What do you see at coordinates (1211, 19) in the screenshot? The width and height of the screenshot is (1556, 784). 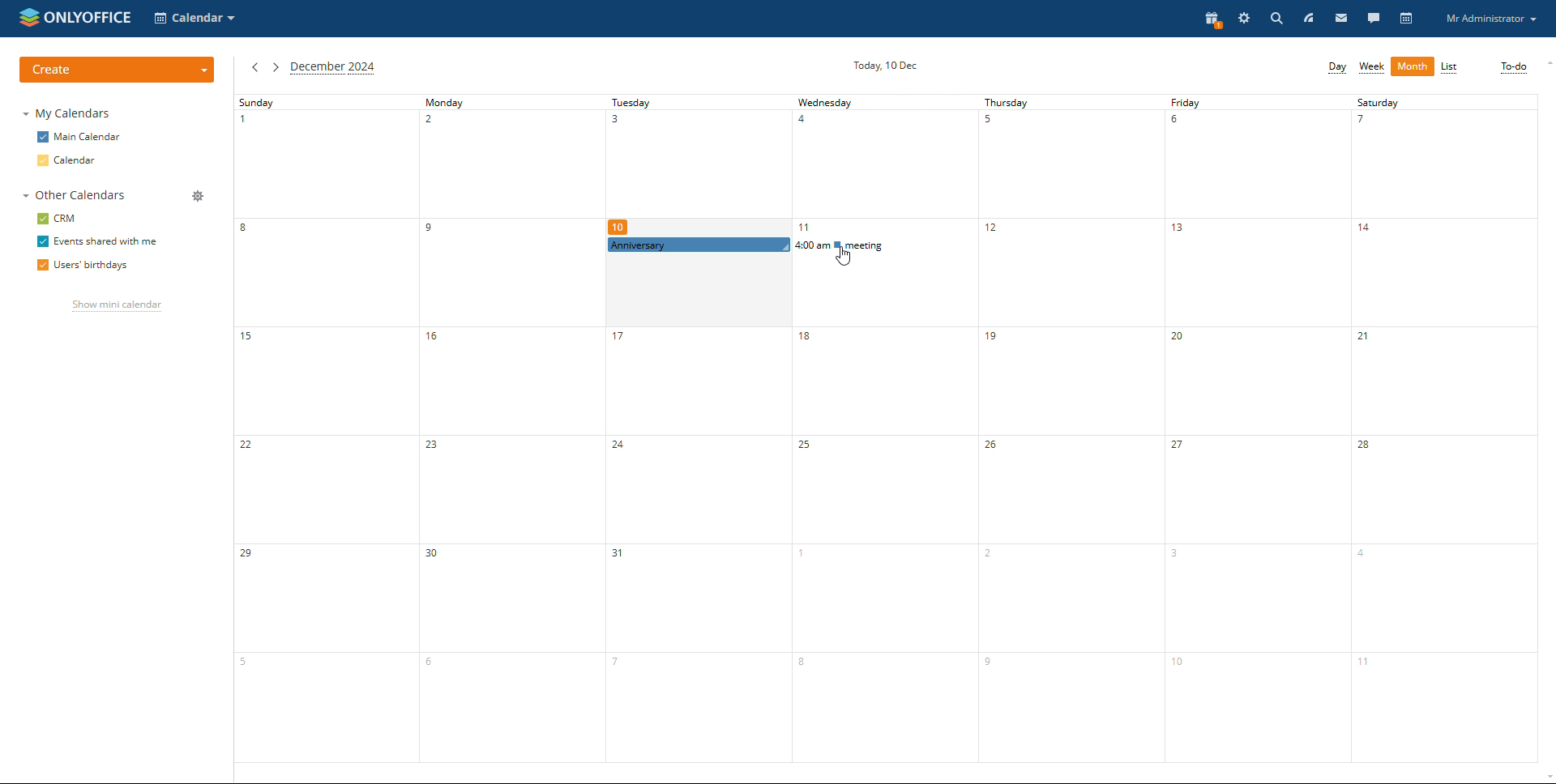 I see `present` at bounding box center [1211, 19].